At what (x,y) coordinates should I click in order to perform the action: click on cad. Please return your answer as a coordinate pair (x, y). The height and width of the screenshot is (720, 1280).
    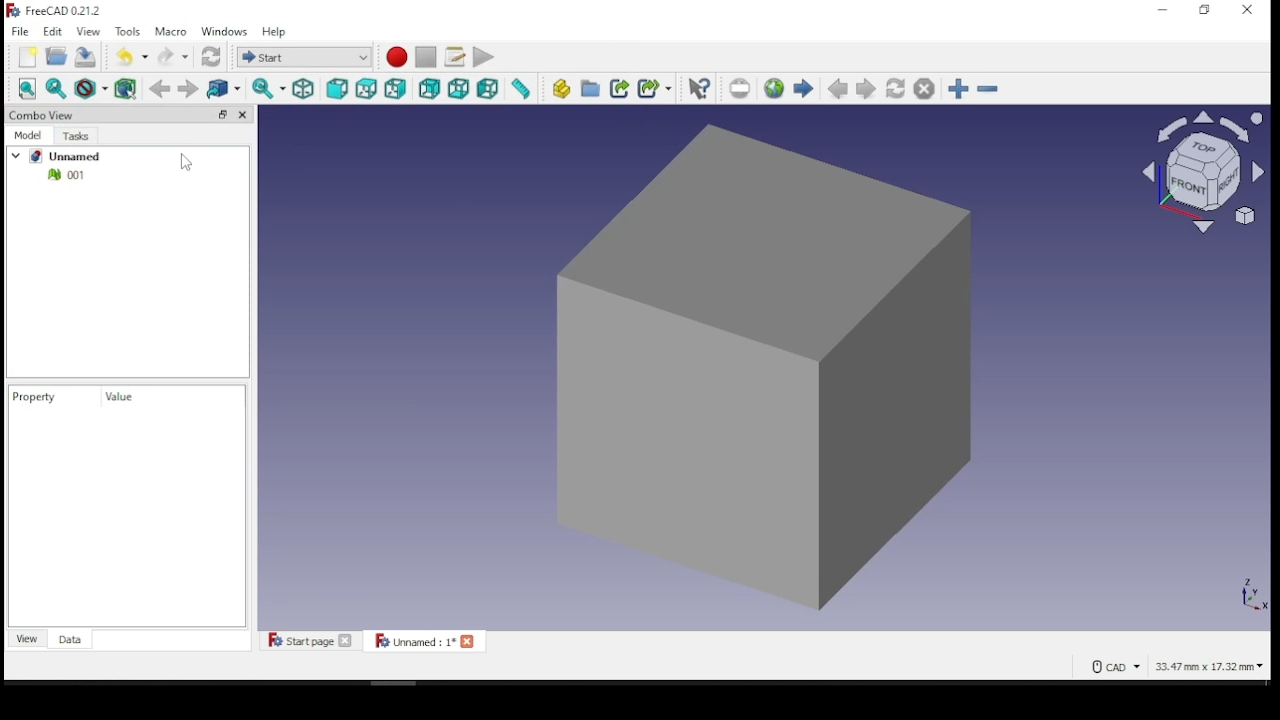
    Looking at the image, I should click on (1108, 666).